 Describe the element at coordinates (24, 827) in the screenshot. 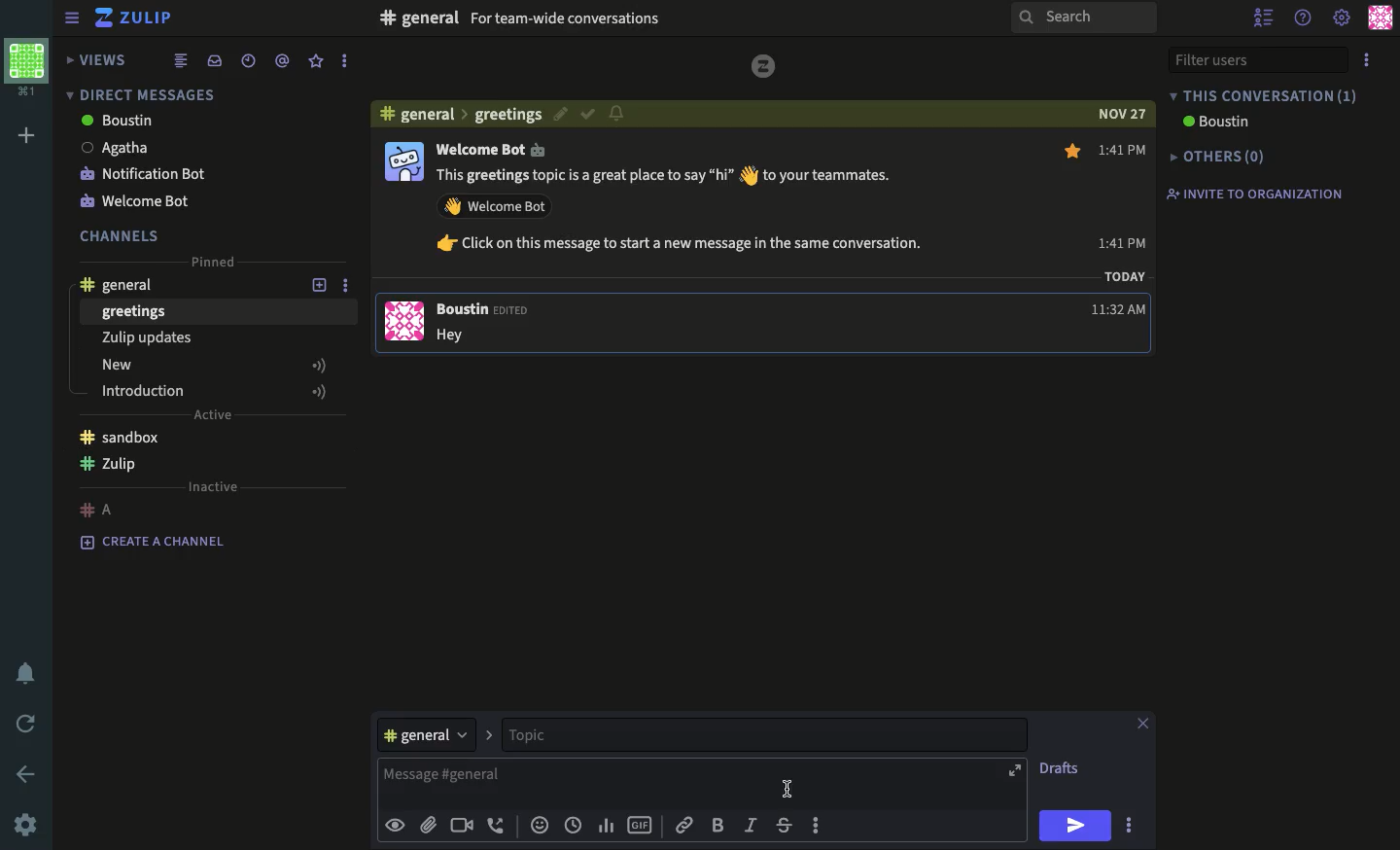

I see `settings` at that location.